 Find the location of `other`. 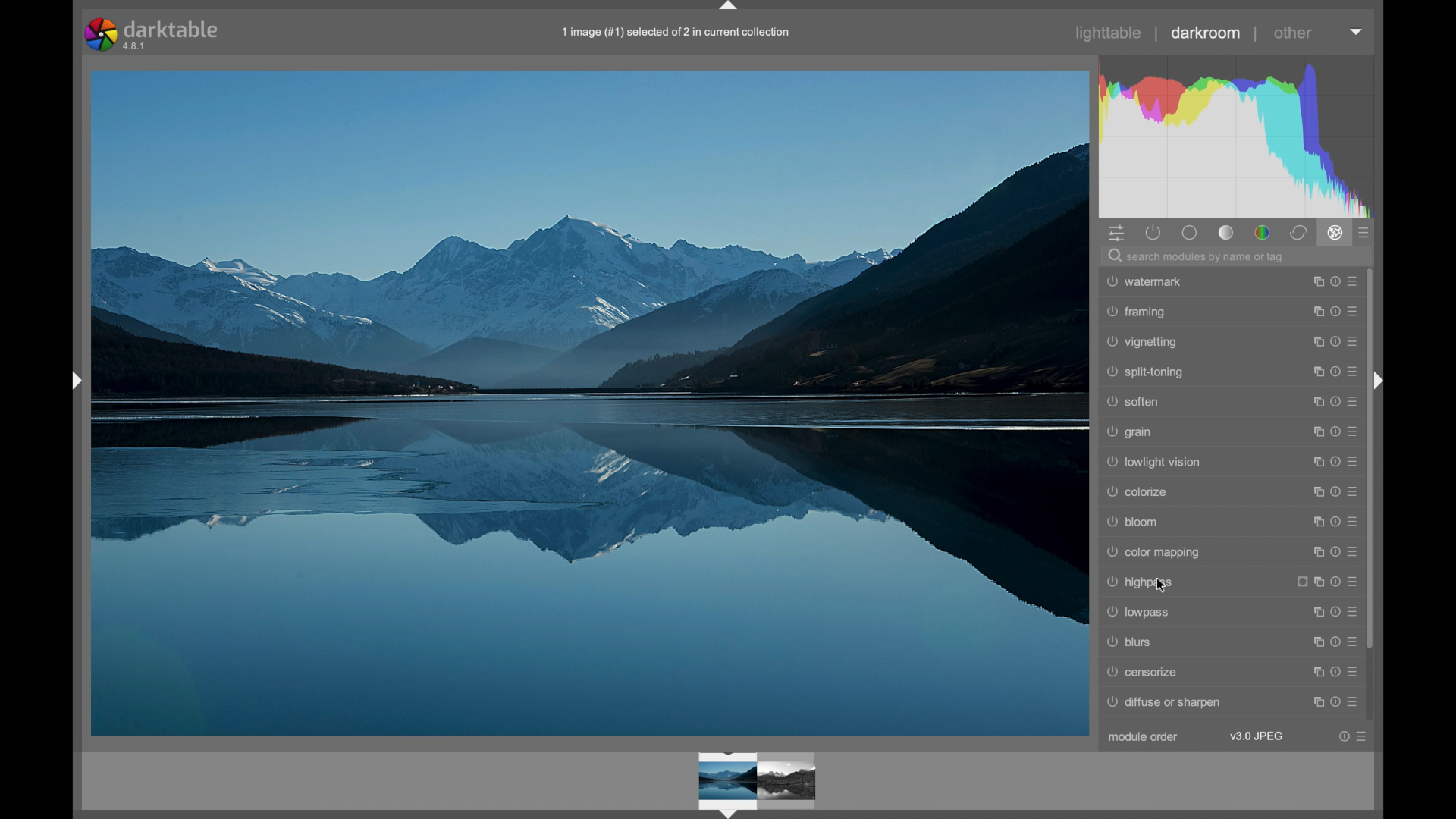

other is located at coordinates (1292, 33).